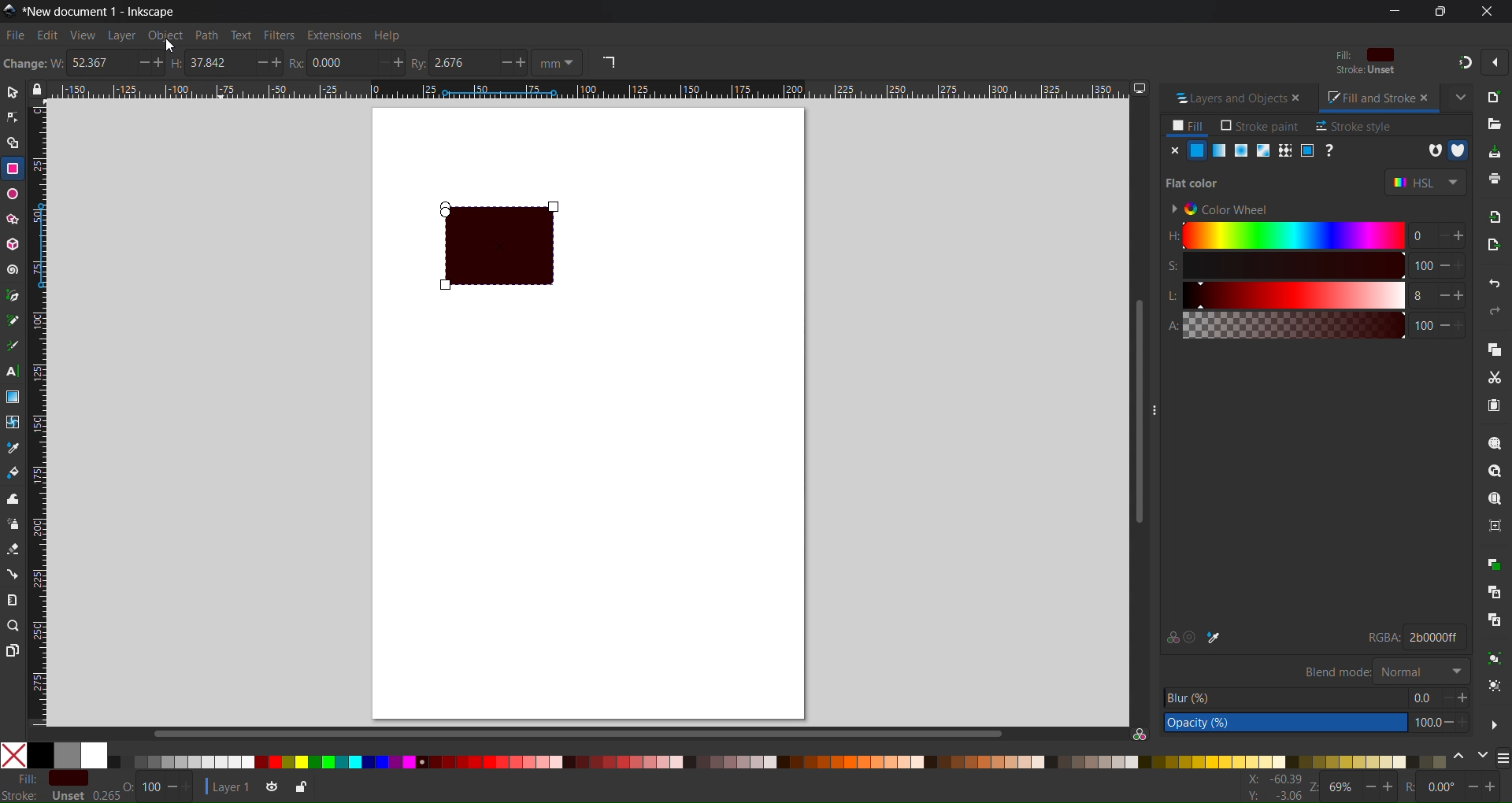 The width and height of the screenshot is (1512, 803). Describe the element at coordinates (151, 787) in the screenshot. I see `Opacity` at that location.